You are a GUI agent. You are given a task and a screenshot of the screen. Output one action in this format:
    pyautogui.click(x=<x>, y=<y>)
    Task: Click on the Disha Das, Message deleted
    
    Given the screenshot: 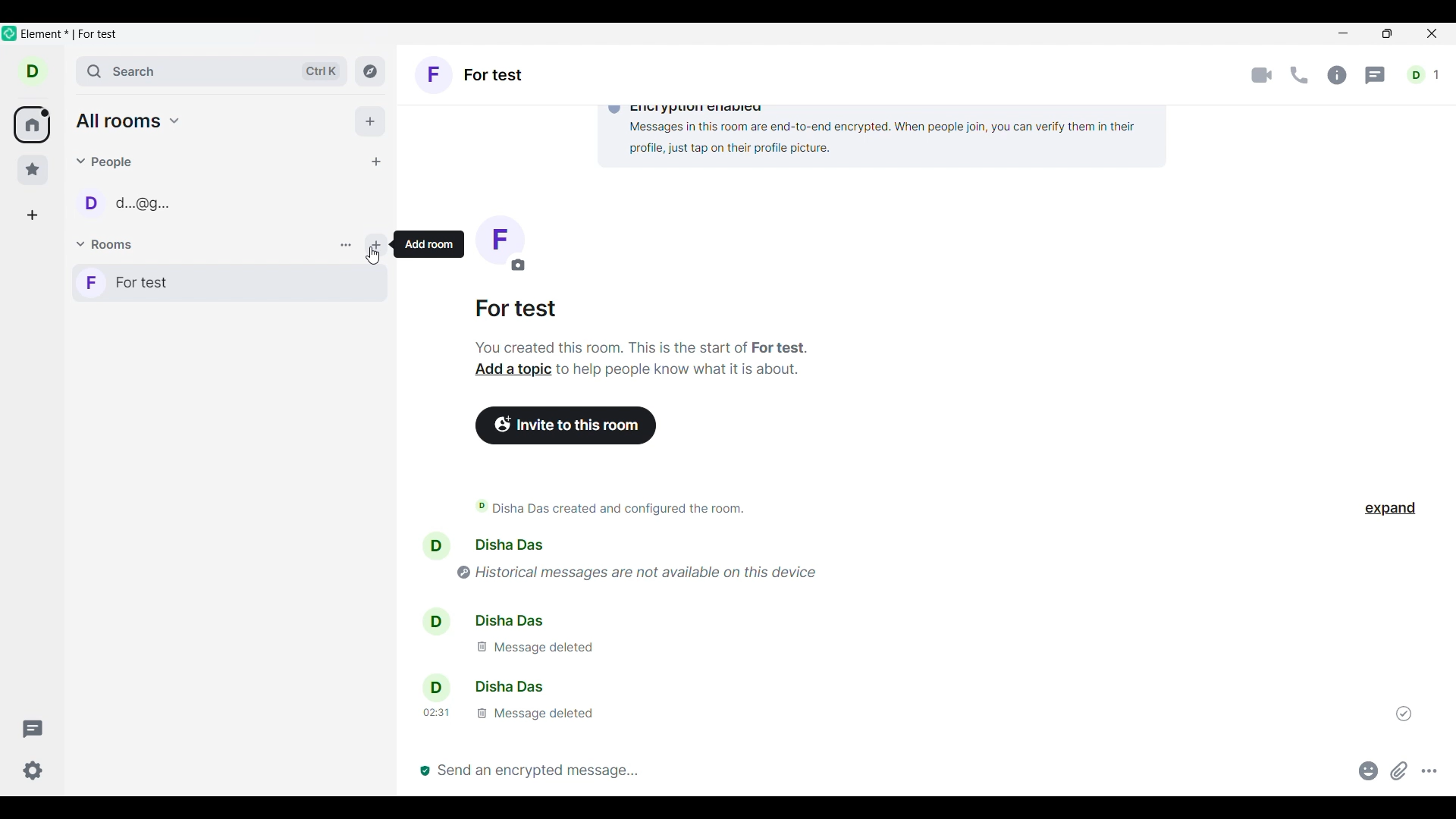 What is the action you would take?
    pyautogui.click(x=549, y=700)
    